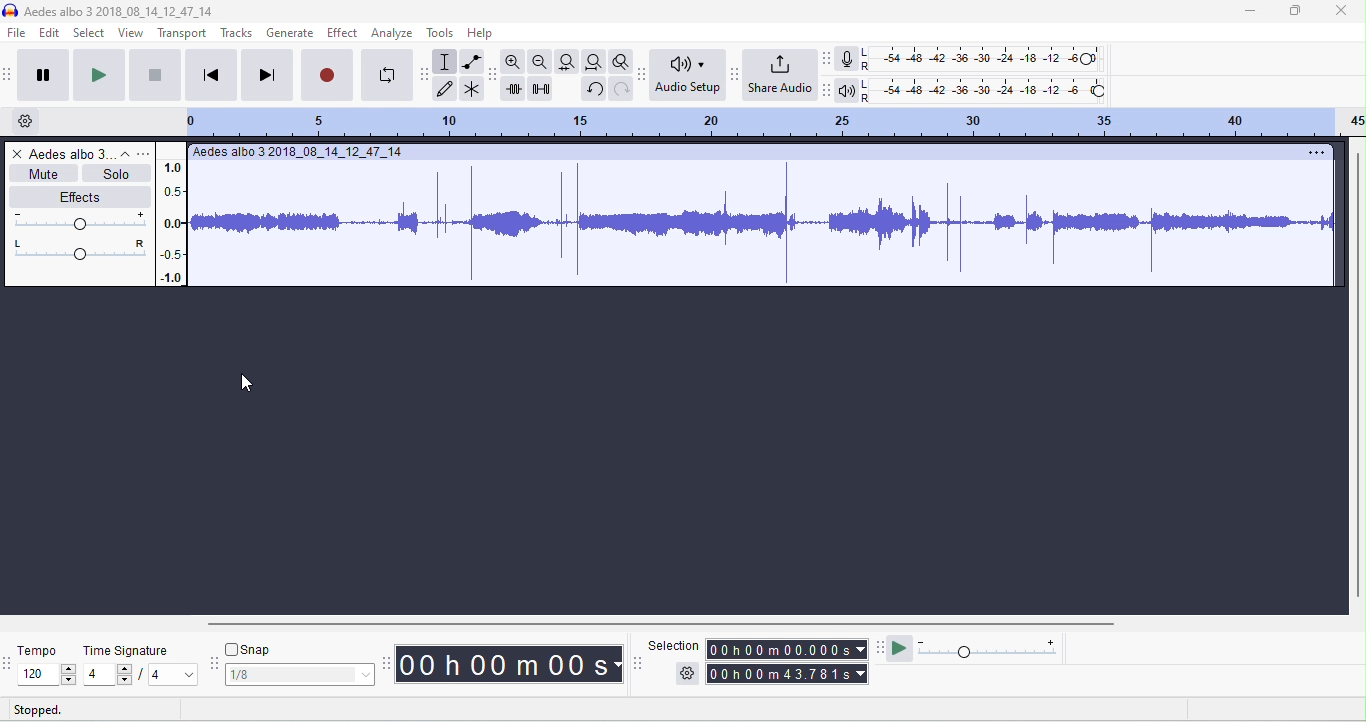 The width and height of the screenshot is (1366, 722). Describe the element at coordinates (38, 649) in the screenshot. I see `tempo` at that location.